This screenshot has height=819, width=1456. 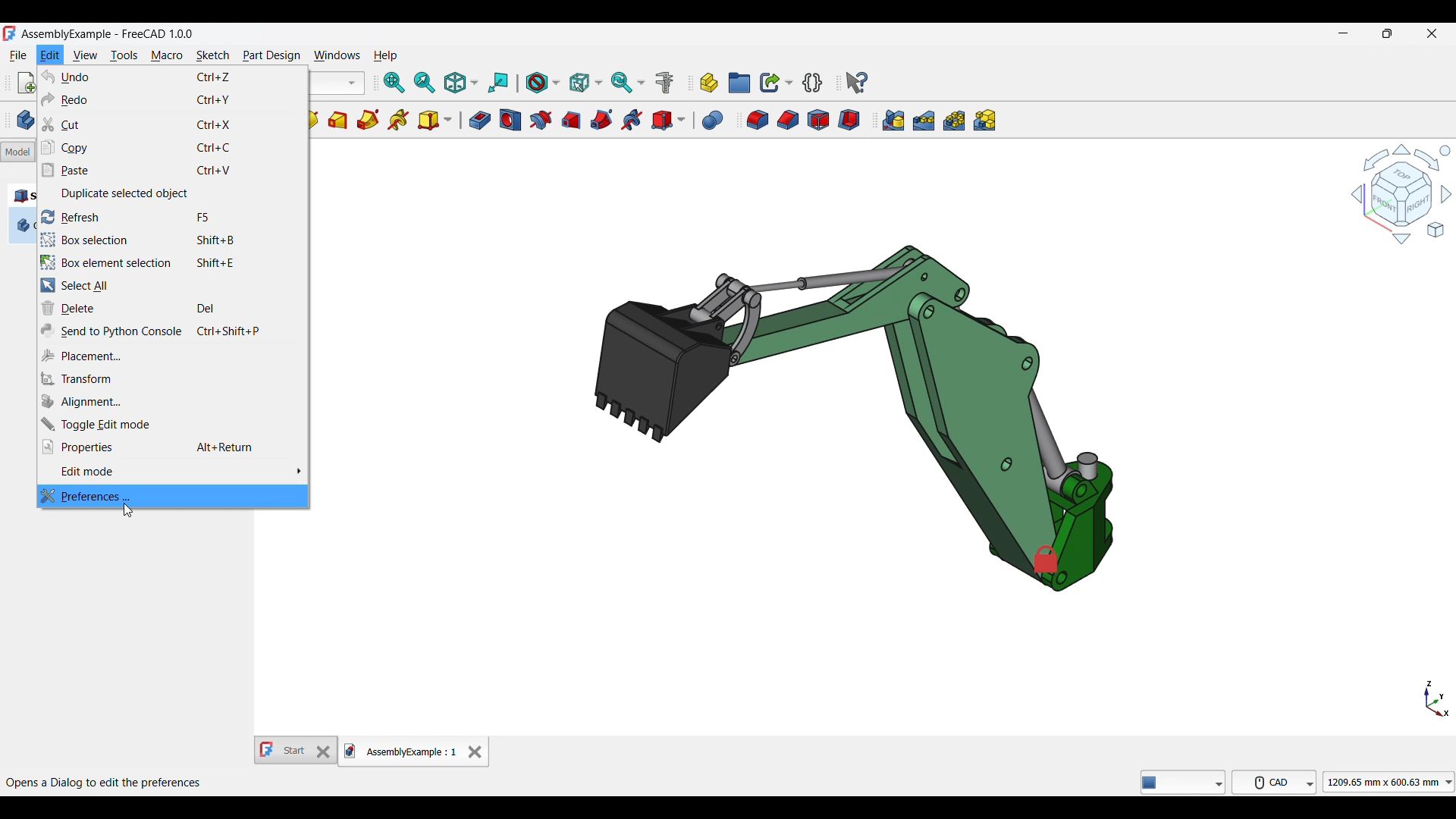 What do you see at coordinates (171, 472) in the screenshot?
I see `Edit mode options ` at bounding box center [171, 472].